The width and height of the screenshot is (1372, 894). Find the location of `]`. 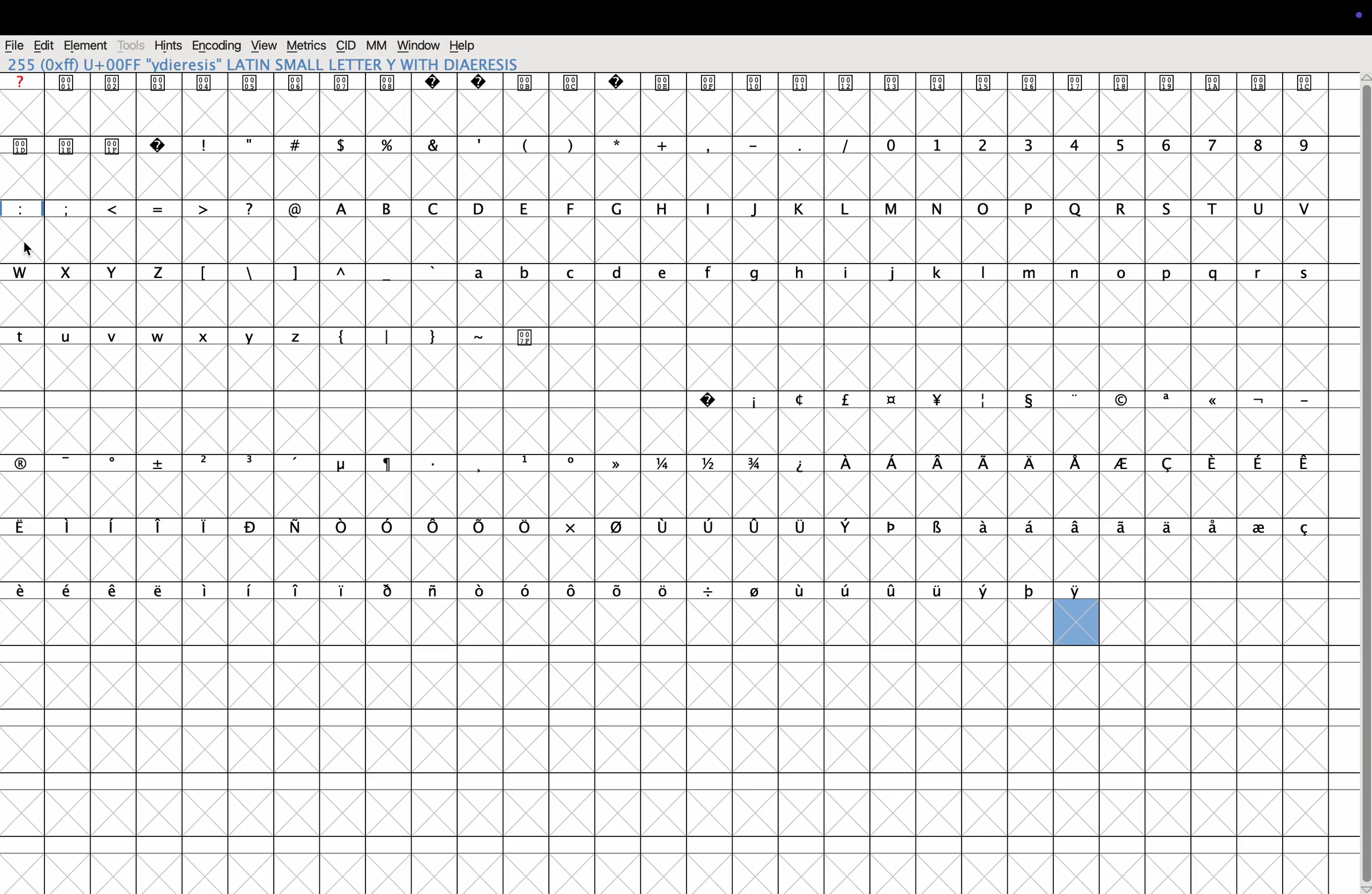

] is located at coordinates (299, 290).